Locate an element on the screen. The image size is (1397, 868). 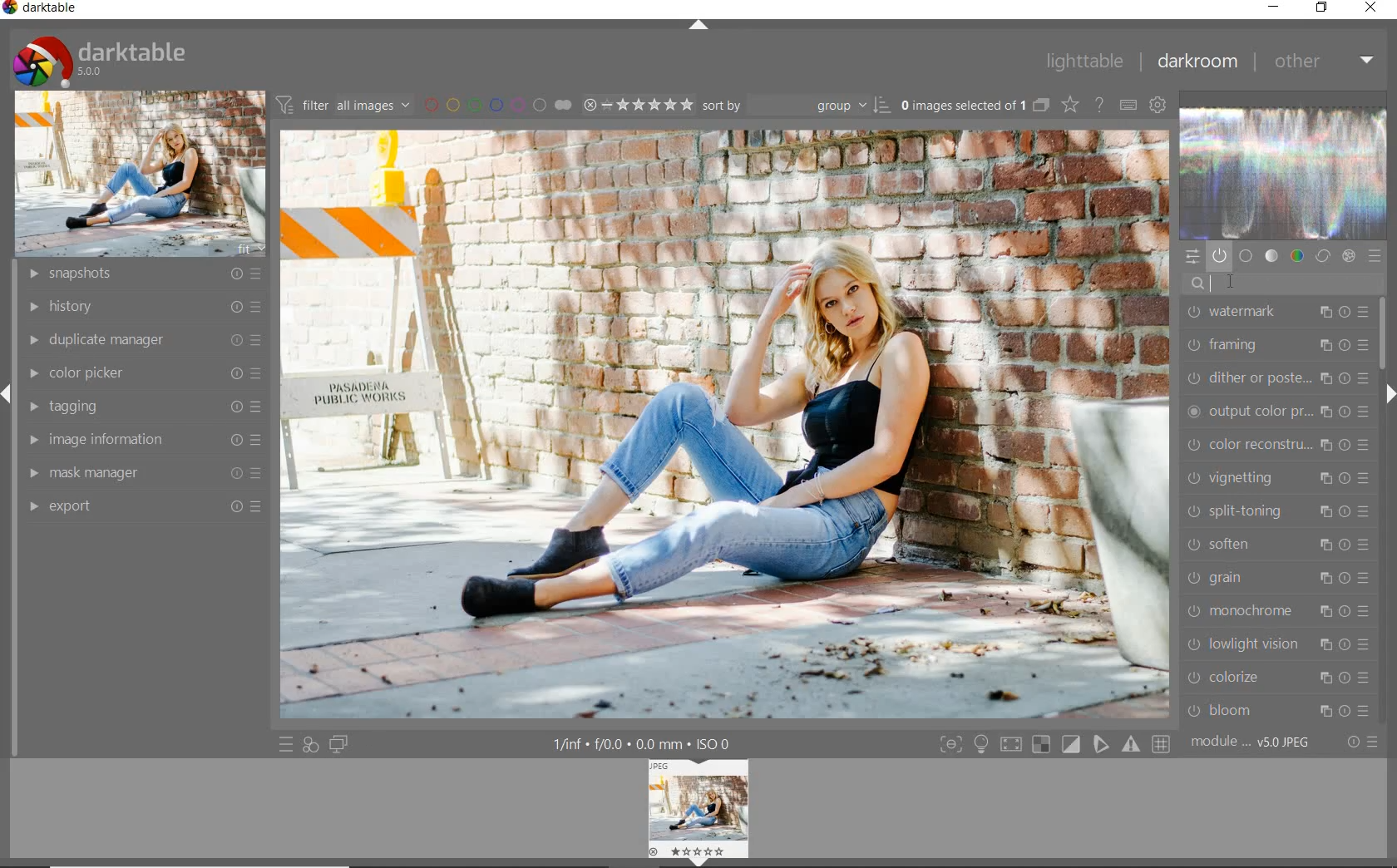
vignetting is located at coordinates (1278, 481).